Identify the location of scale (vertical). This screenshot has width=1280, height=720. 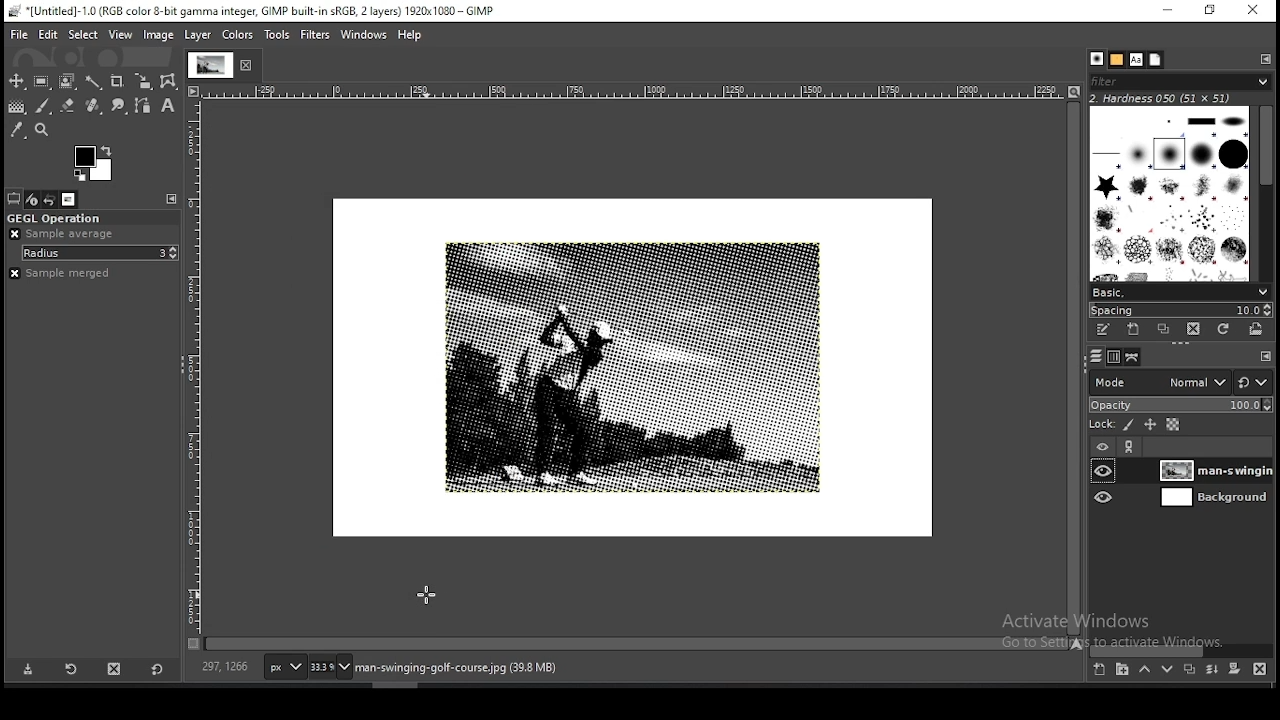
(195, 367).